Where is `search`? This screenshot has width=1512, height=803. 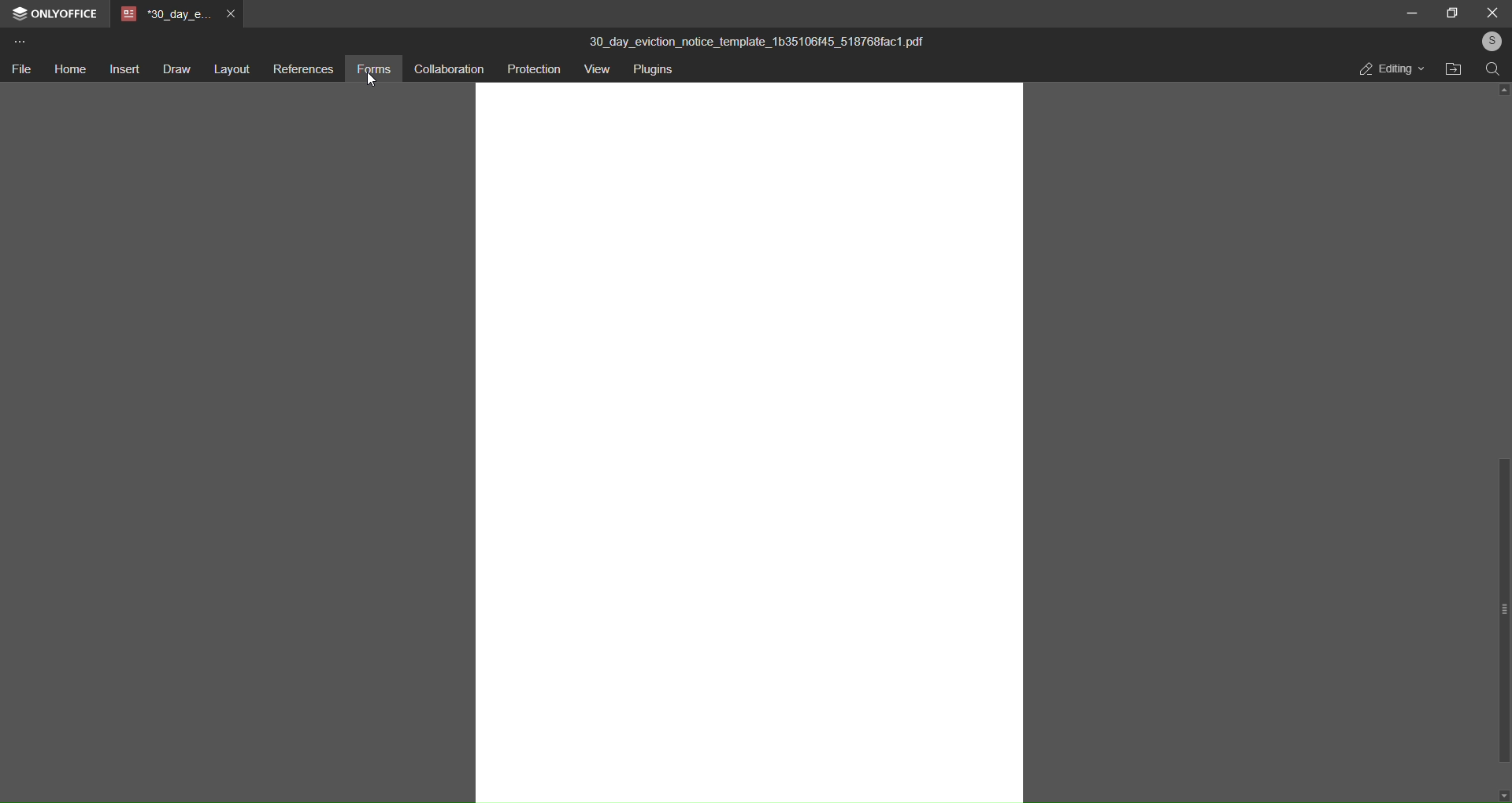
search is located at coordinates (1492, 70).